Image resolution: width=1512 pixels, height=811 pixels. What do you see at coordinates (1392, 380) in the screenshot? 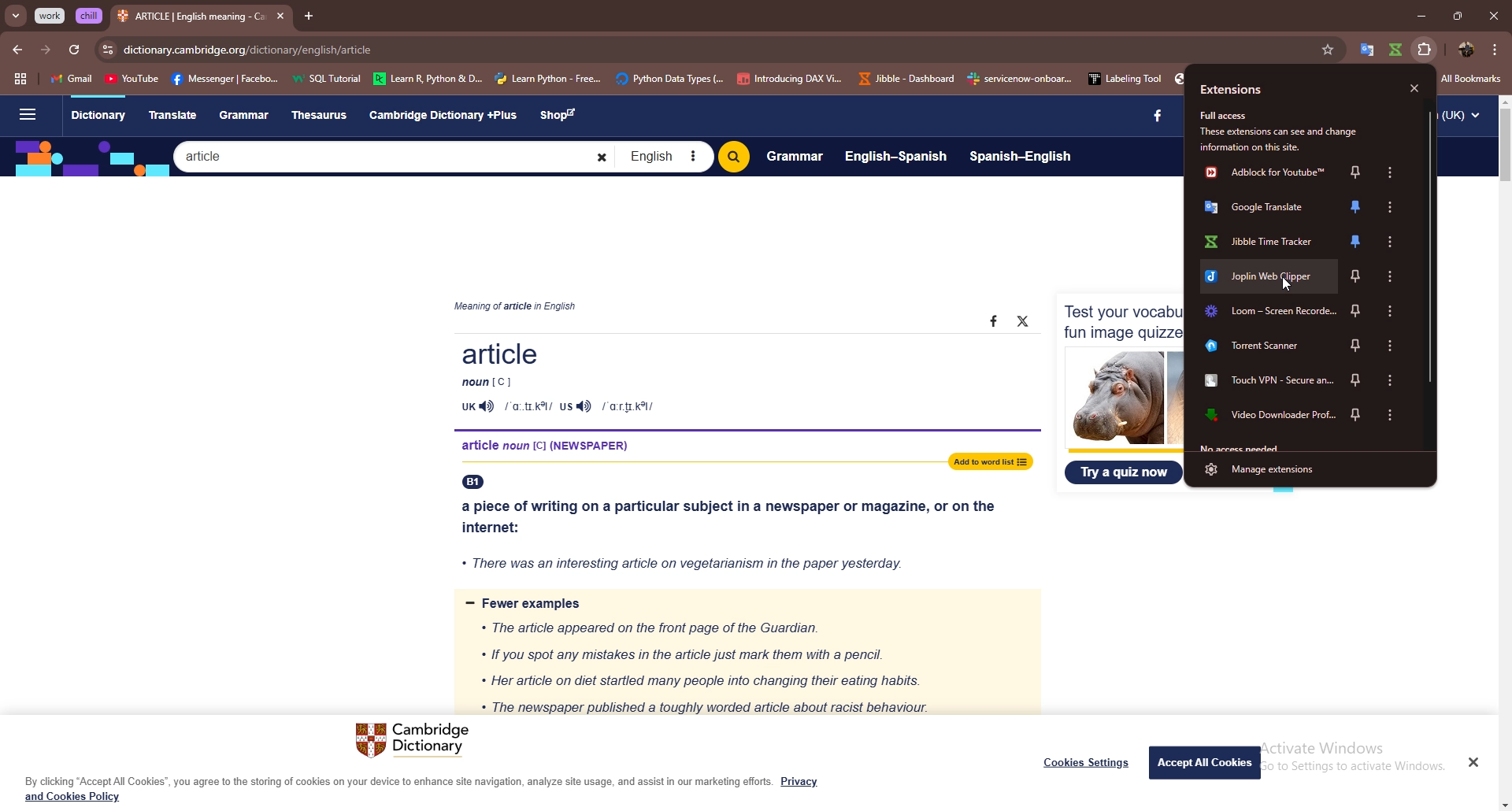
I see `option` at bounding box center [1392, 380].